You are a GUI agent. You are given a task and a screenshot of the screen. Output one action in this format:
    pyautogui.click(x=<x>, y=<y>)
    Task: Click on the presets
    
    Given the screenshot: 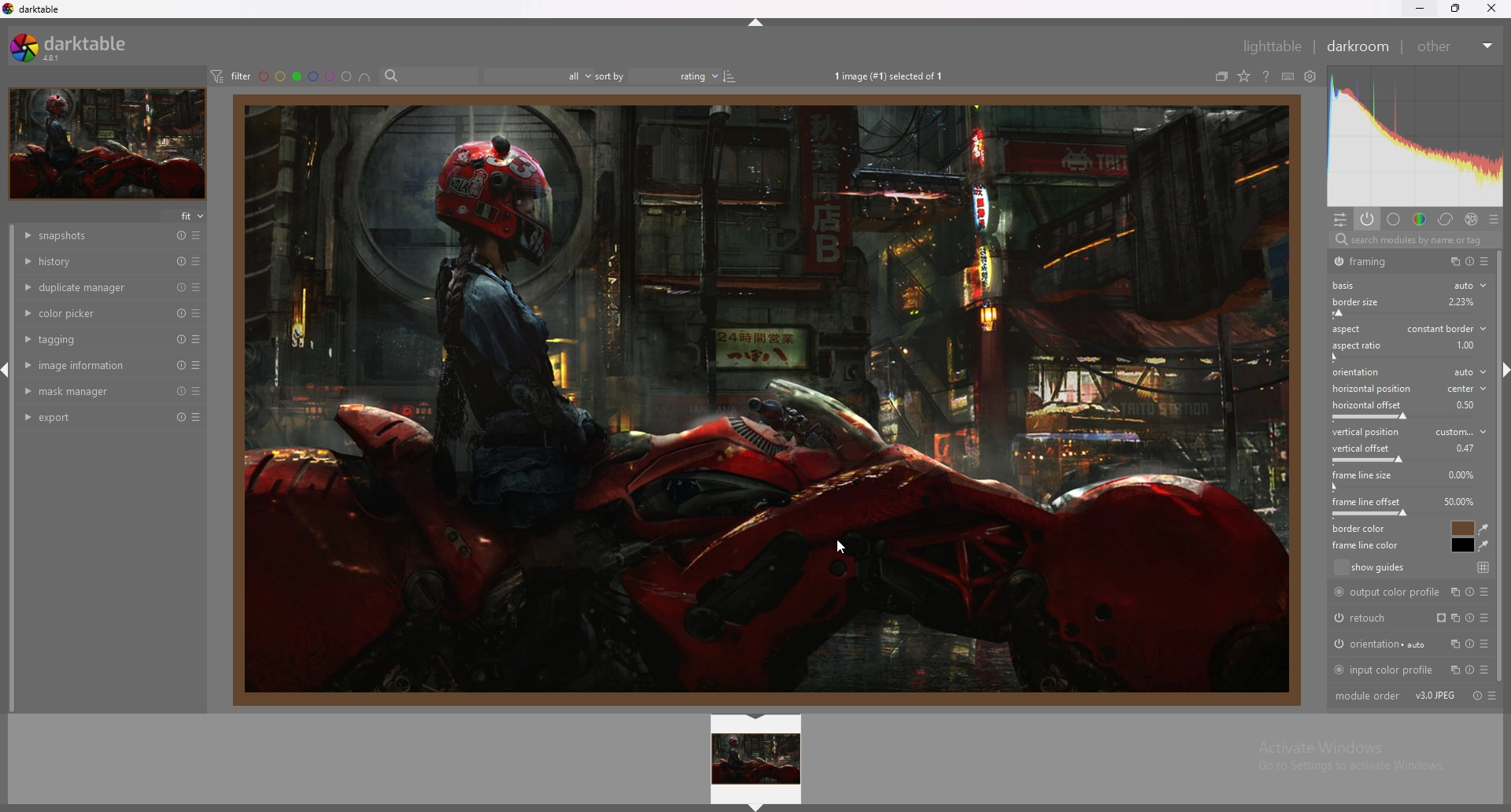 What is the action you would take?
    pyautogui.click(x=197, y=339)
    